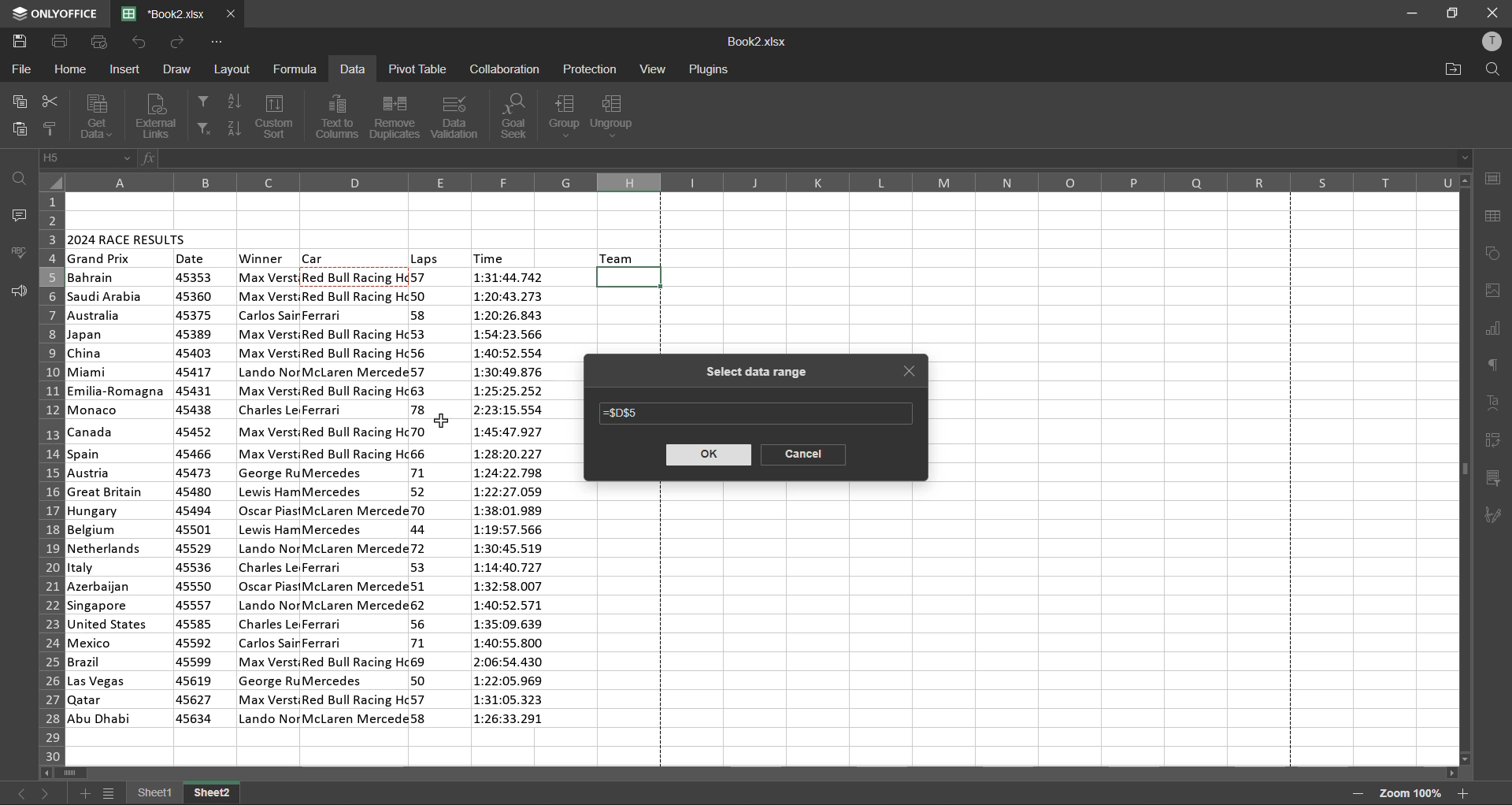 This screenshot has height=805, width=1512. What do you see at coordinates (298, 68) in the screenshot?
I see `formula` at bounding box center [298, 68].